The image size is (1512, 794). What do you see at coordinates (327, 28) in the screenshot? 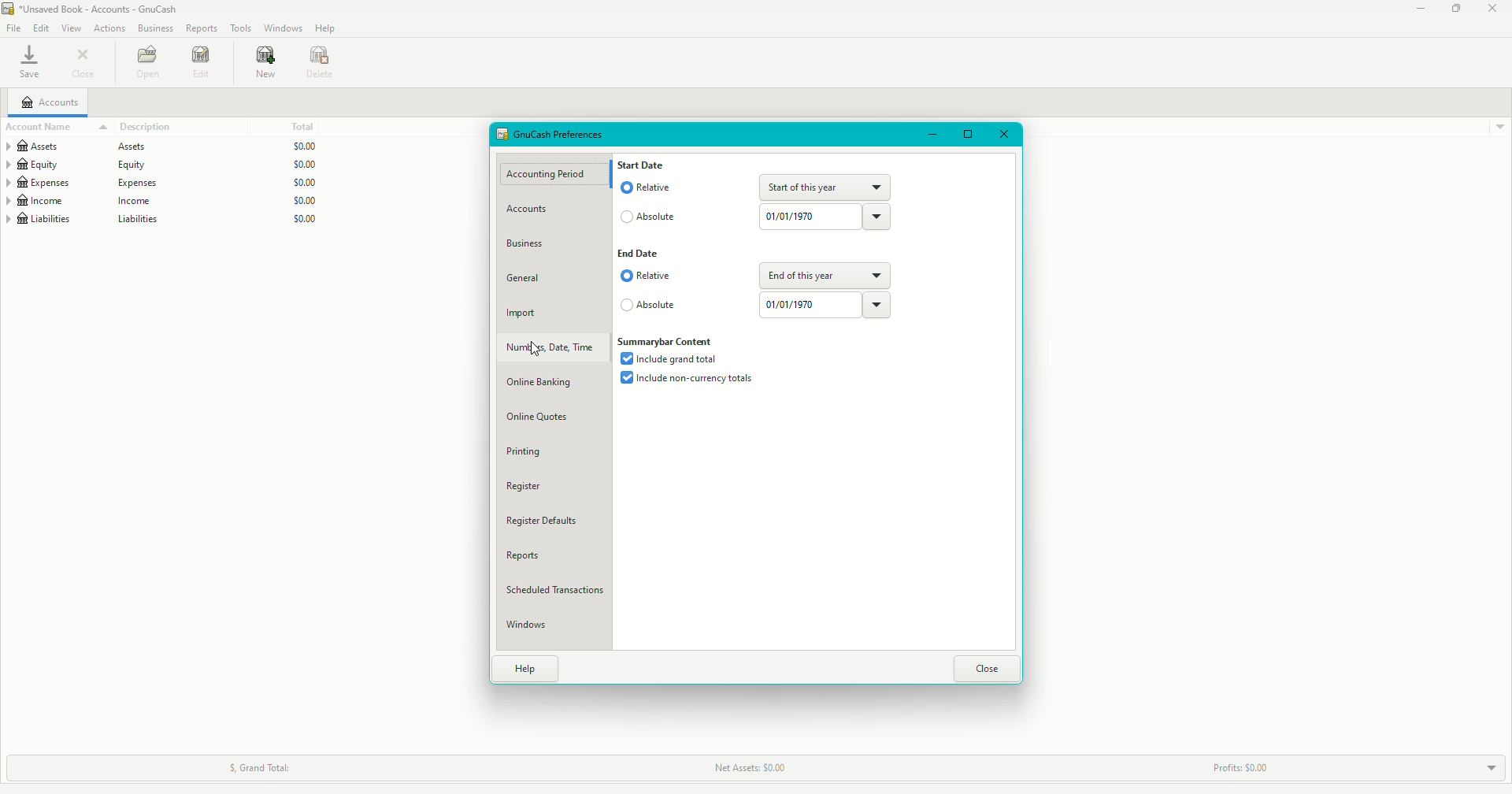
I see `Help` at bounding box center [327, 28].